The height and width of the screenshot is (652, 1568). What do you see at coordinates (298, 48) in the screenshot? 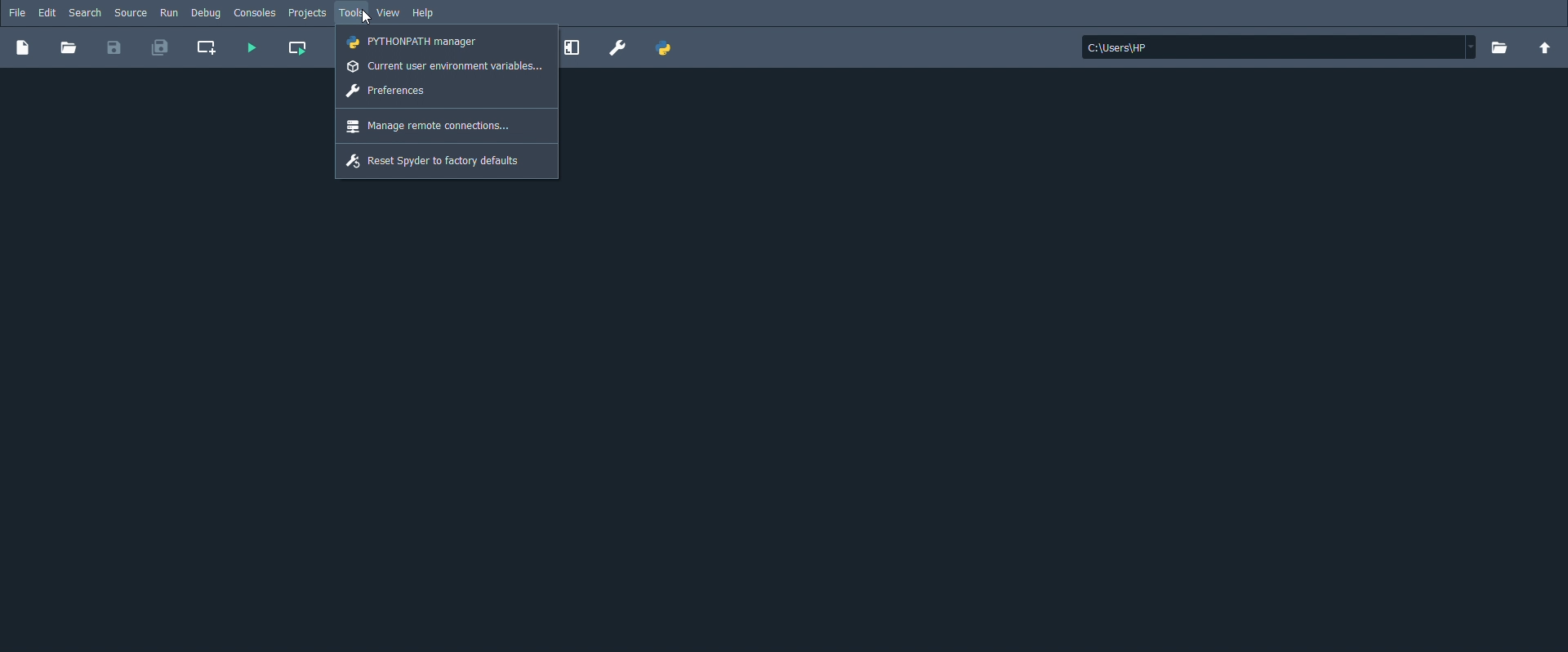
I see `Run current cell` at bounding box center [298, 48].